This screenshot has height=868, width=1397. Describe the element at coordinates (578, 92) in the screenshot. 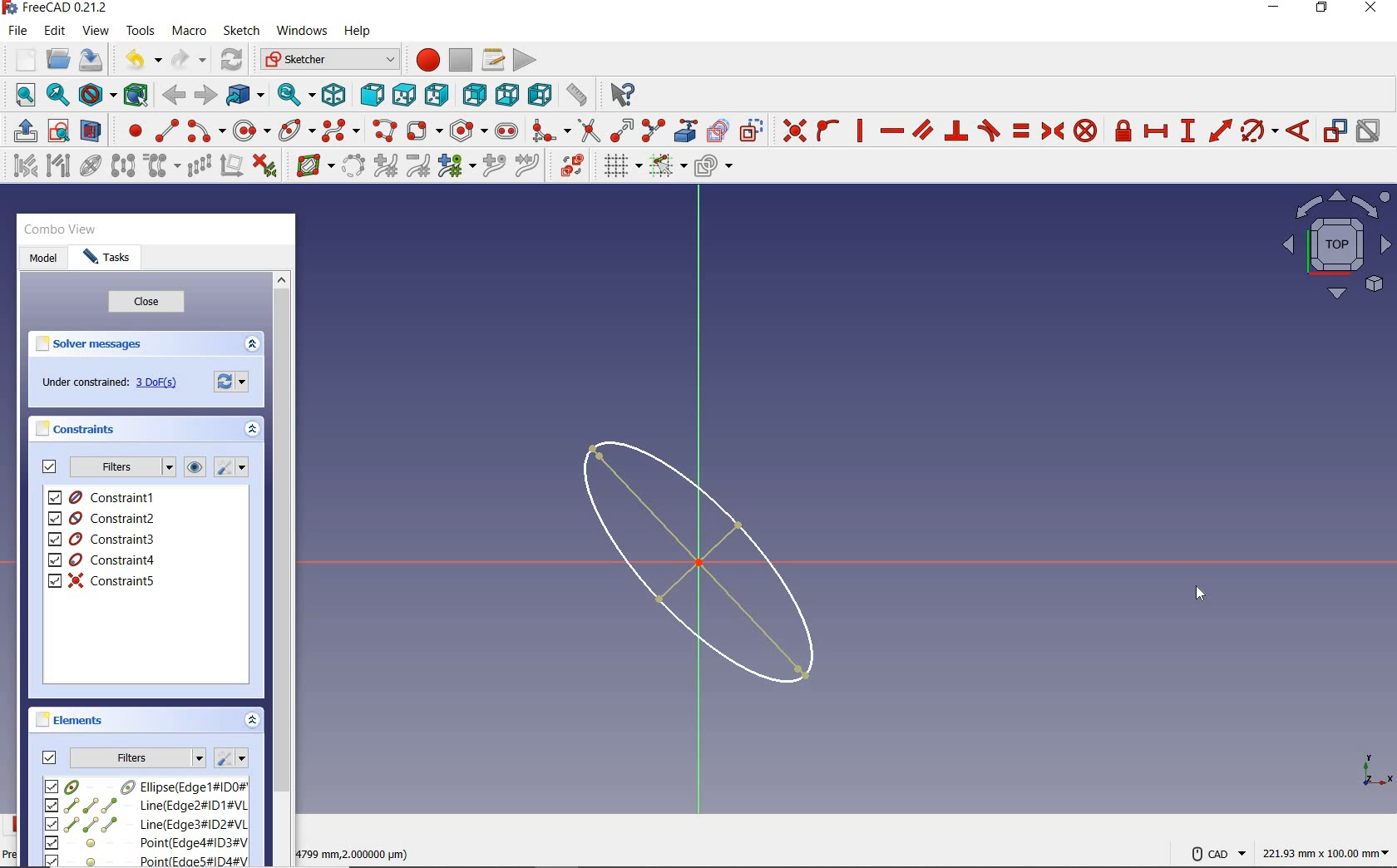

I see `measure distance` at that location.